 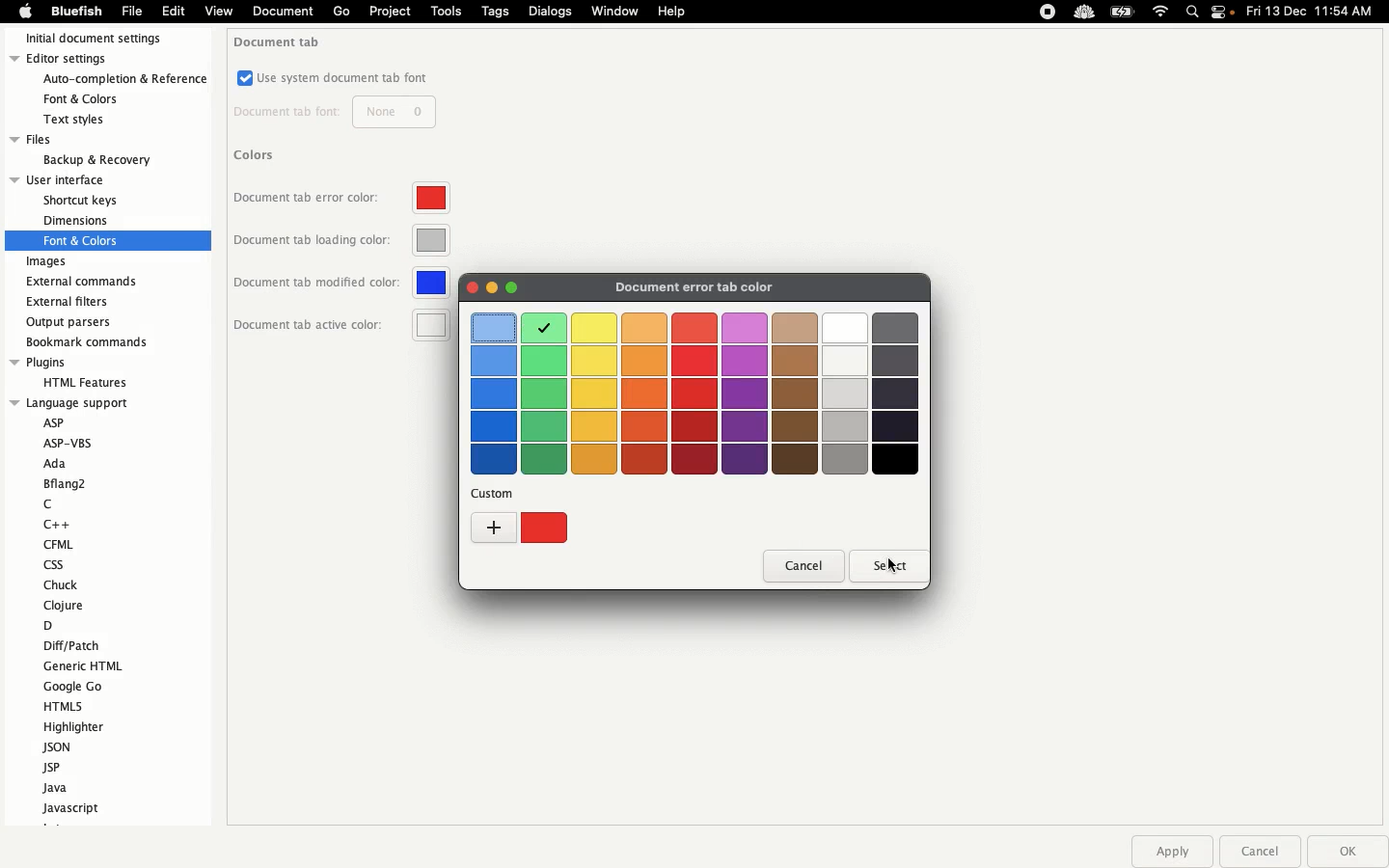 What do you see at coordinates (672, 11) in the screenshot?
I see `Help` at bounding box center [672, 11].